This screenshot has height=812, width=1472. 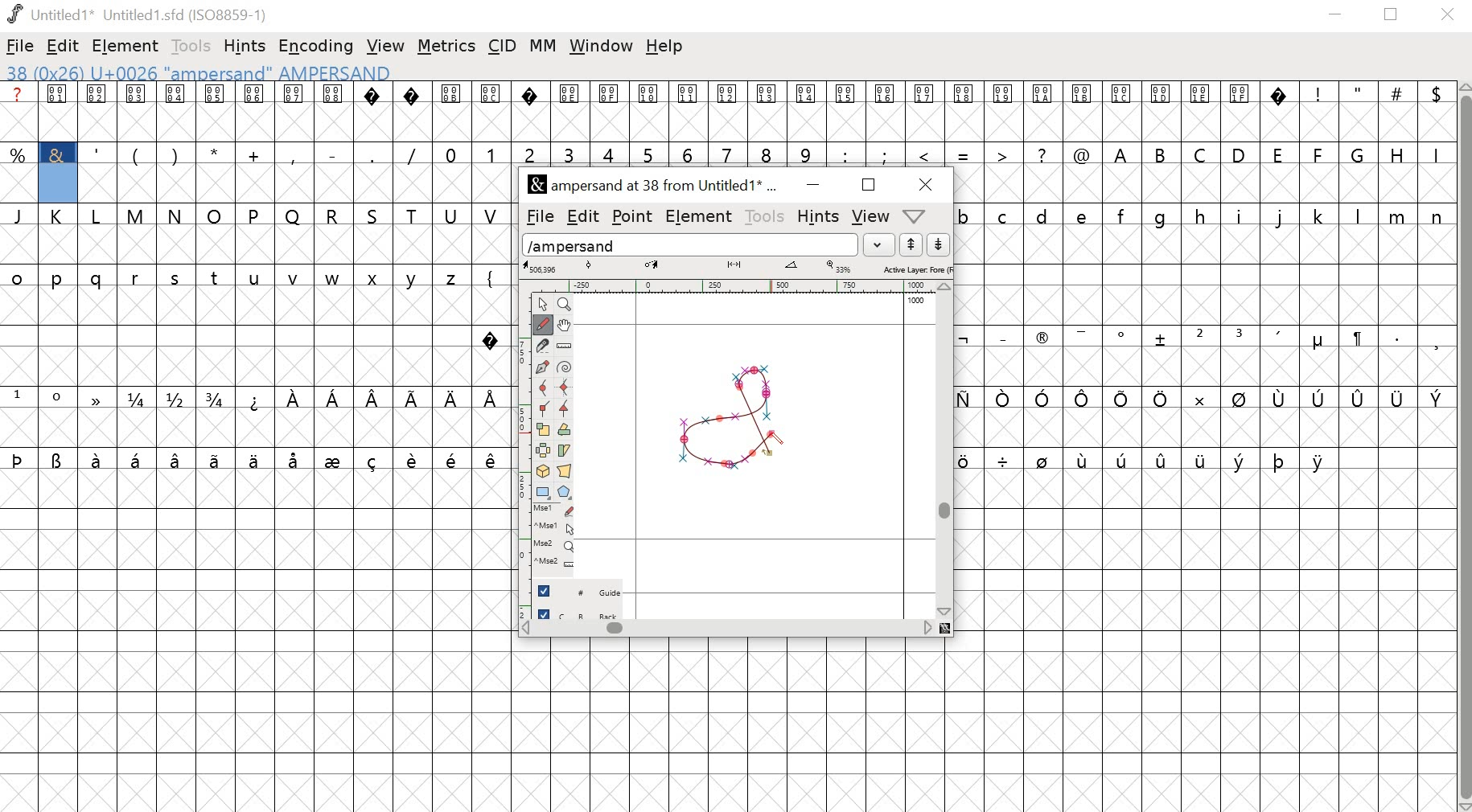 What do you see at coordinates (333, 280) in the screenshot?
I see `w` at bounding box center [333, 280].